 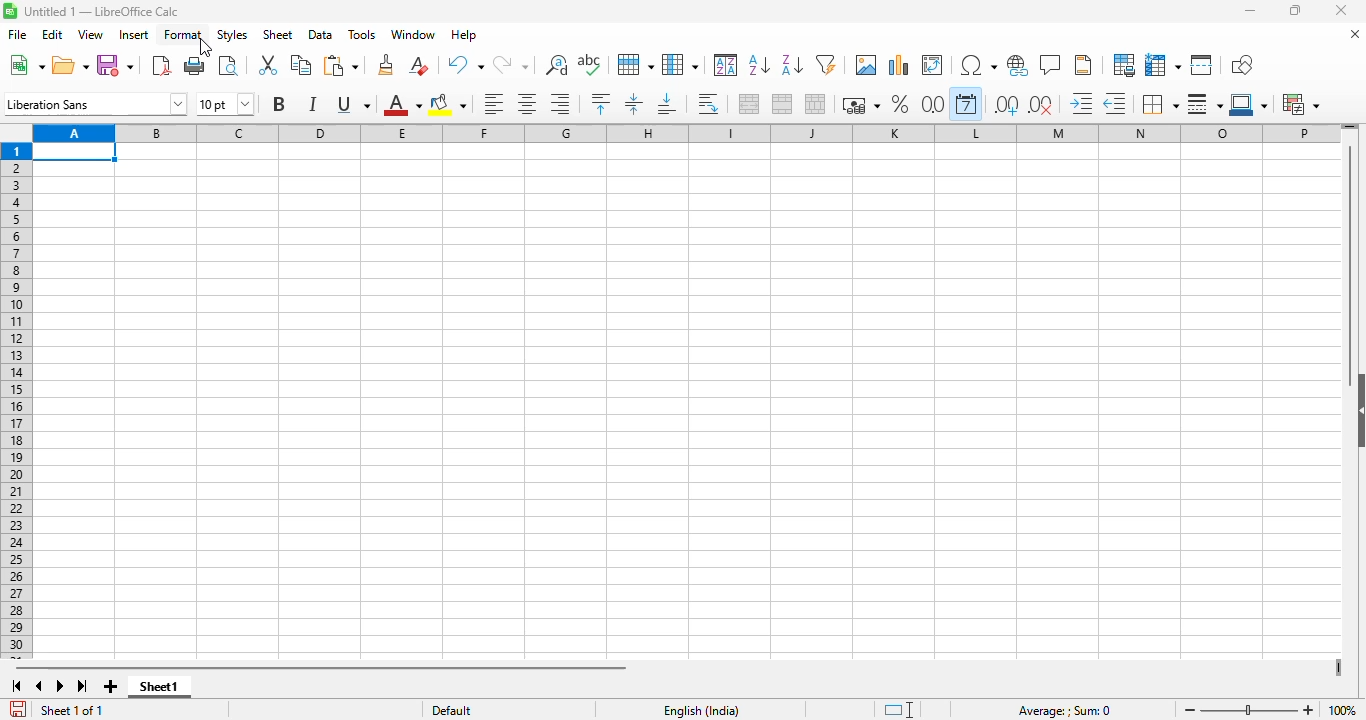 I want to click on delete decimal, so click(x=1041, y=105).